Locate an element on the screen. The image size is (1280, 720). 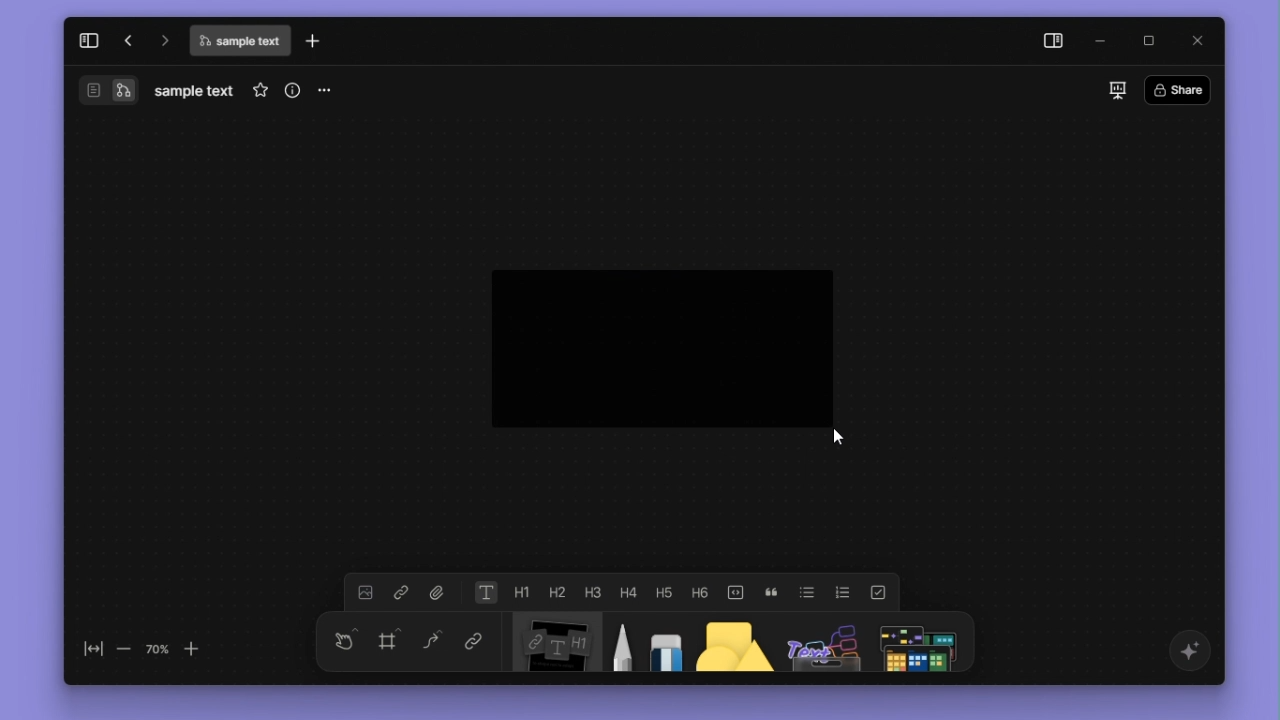
more info is located at coordinates (289, 90).